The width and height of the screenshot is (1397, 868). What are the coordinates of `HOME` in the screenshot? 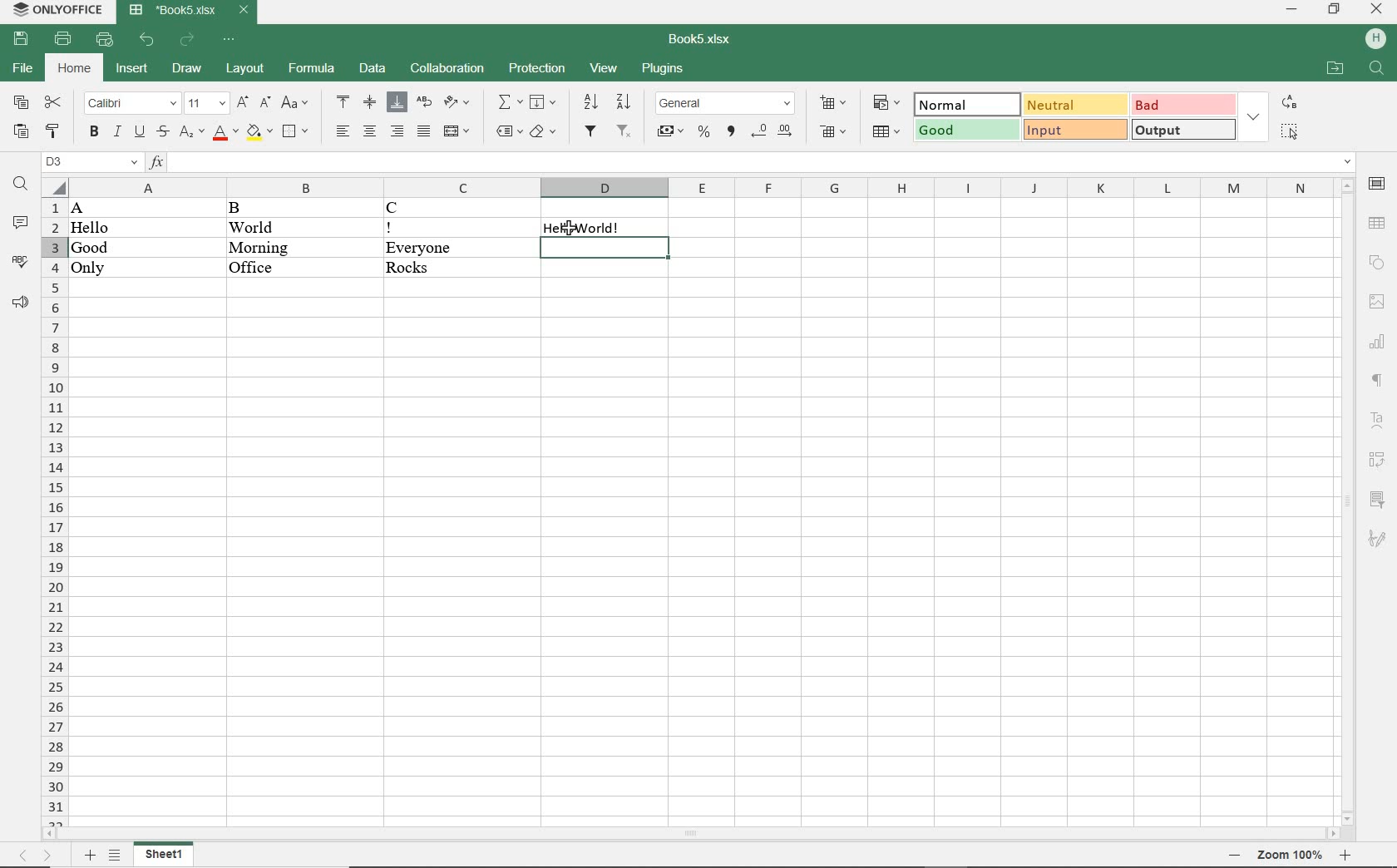 It's located at (72, 68).